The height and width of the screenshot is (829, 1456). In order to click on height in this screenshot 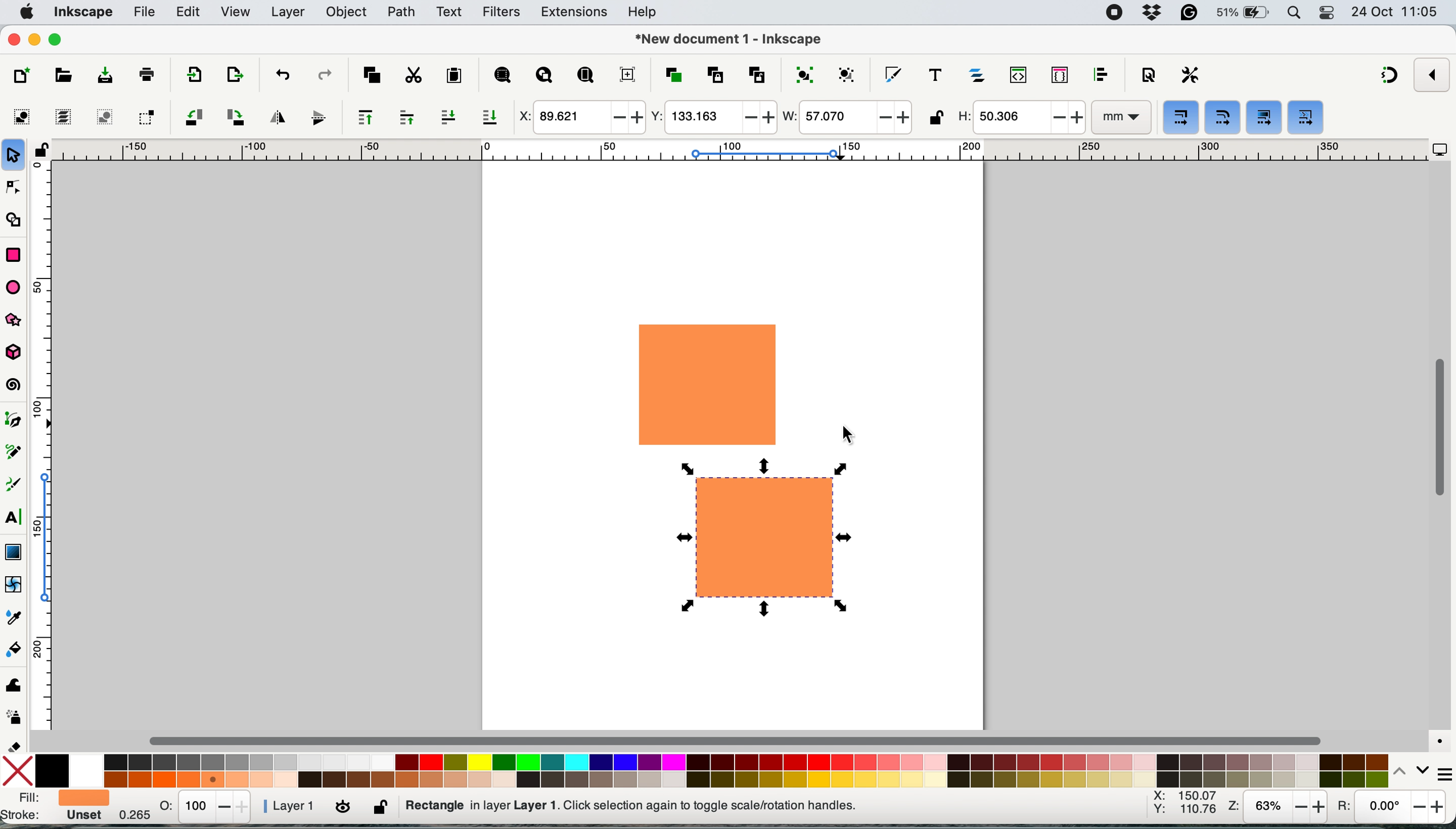, I will do `click(1019, 117)`.